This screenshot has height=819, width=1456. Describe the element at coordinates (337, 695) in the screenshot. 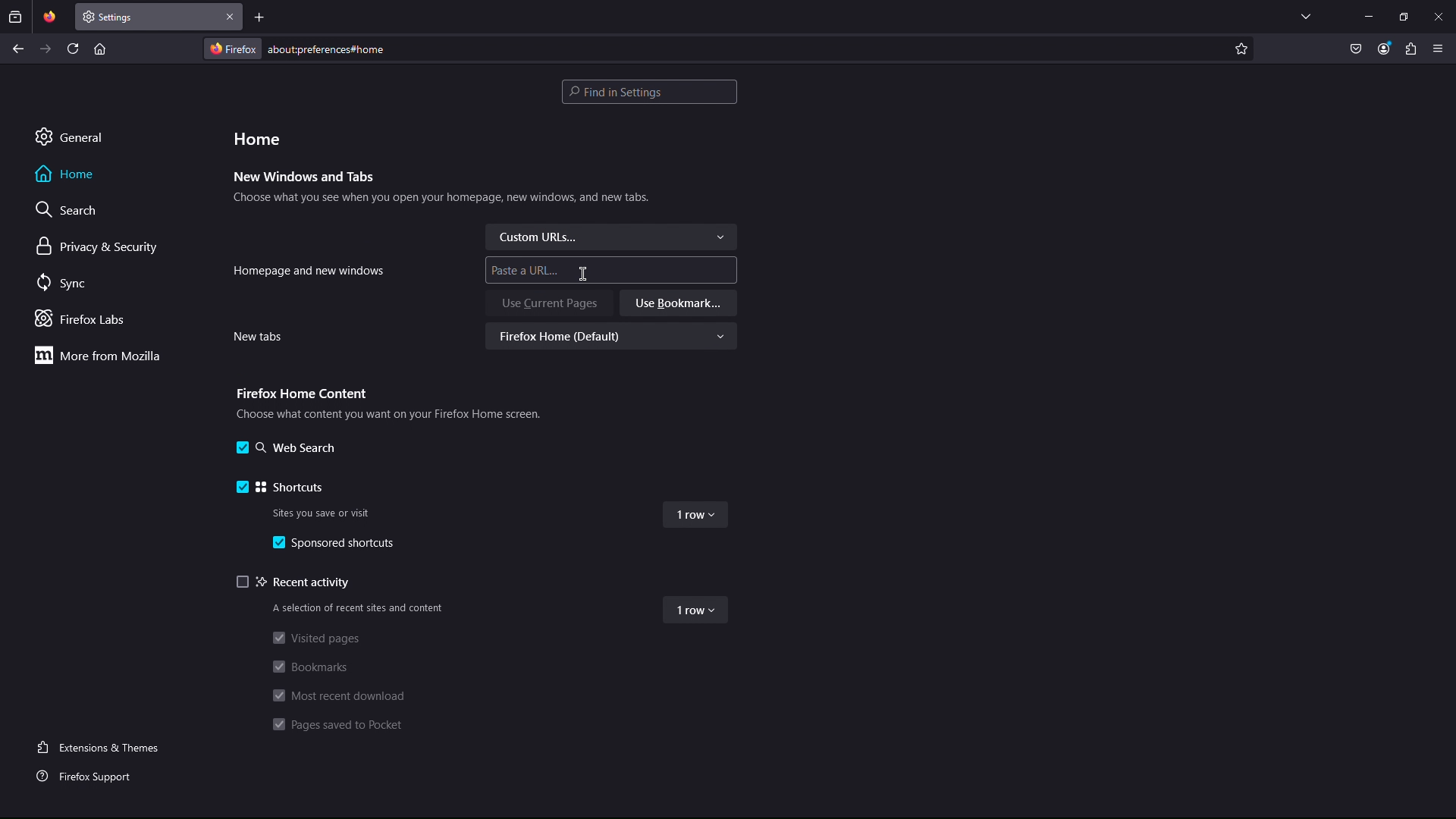

I see `Most recent download` at that location.